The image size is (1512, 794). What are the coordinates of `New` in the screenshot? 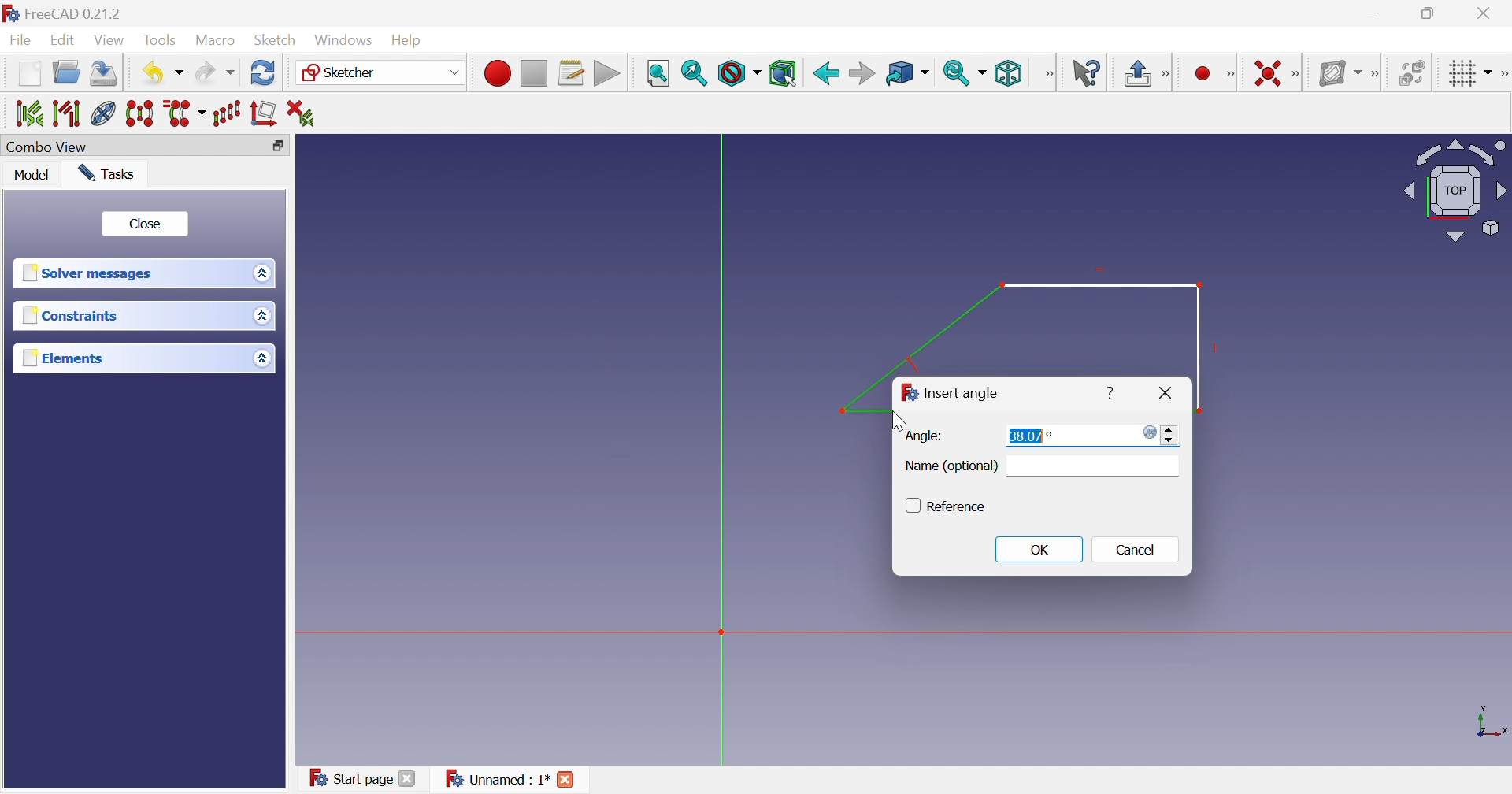 It's located at (29, 77).